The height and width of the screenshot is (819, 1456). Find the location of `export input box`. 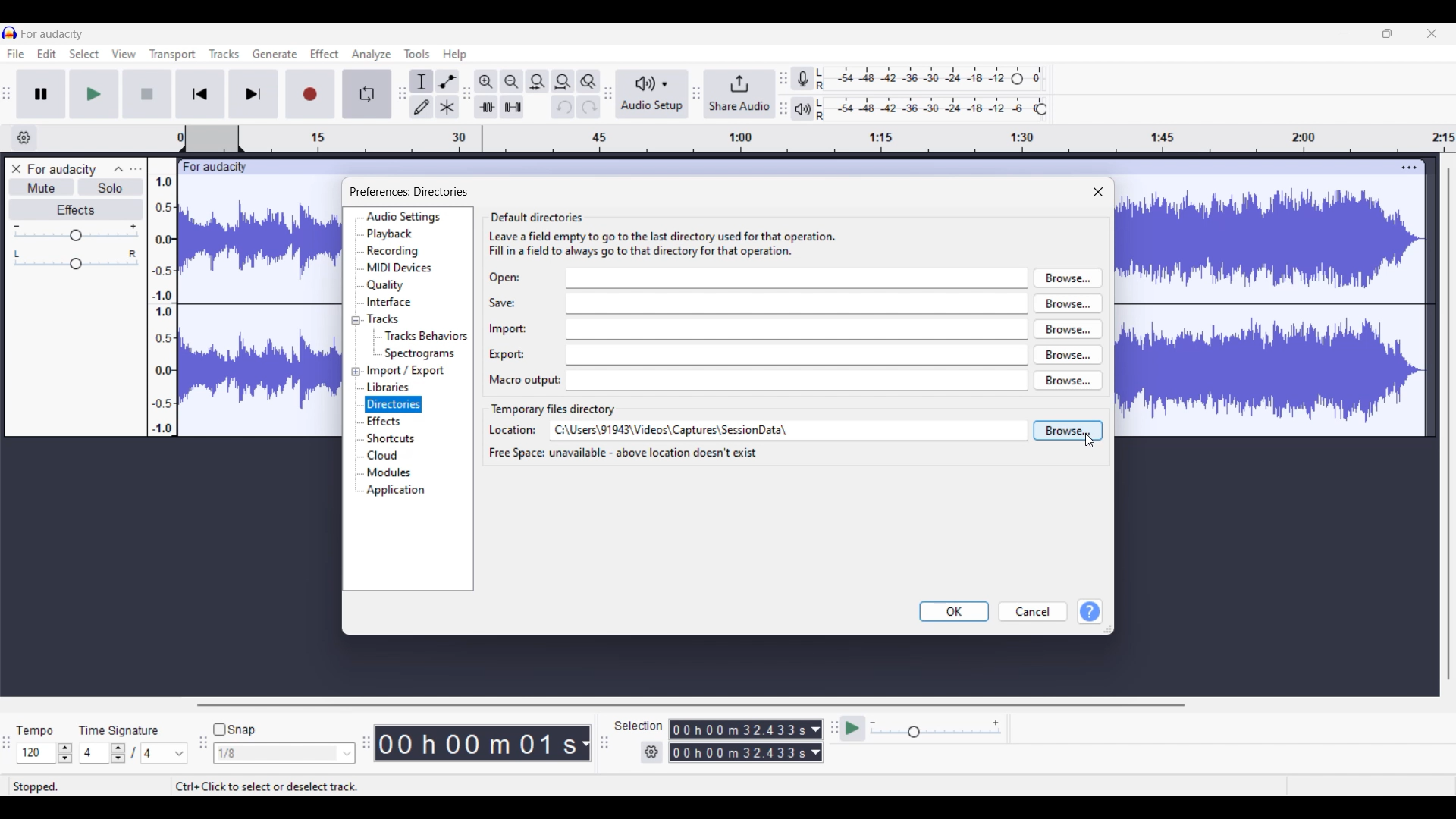

export input box is located at coordinates (798, 355).